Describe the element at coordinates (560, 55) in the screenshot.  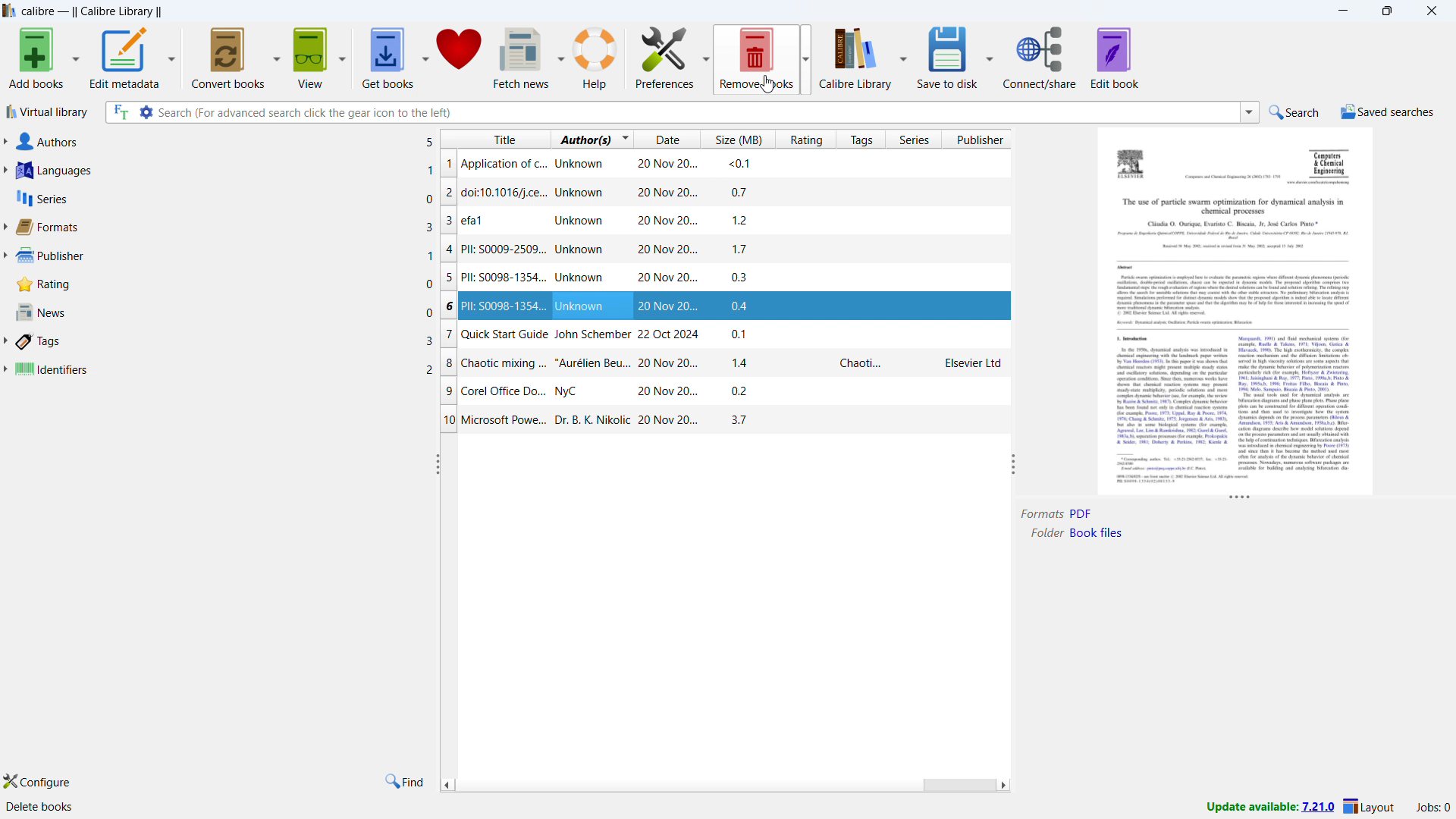
I see `fetch news options` at that location.